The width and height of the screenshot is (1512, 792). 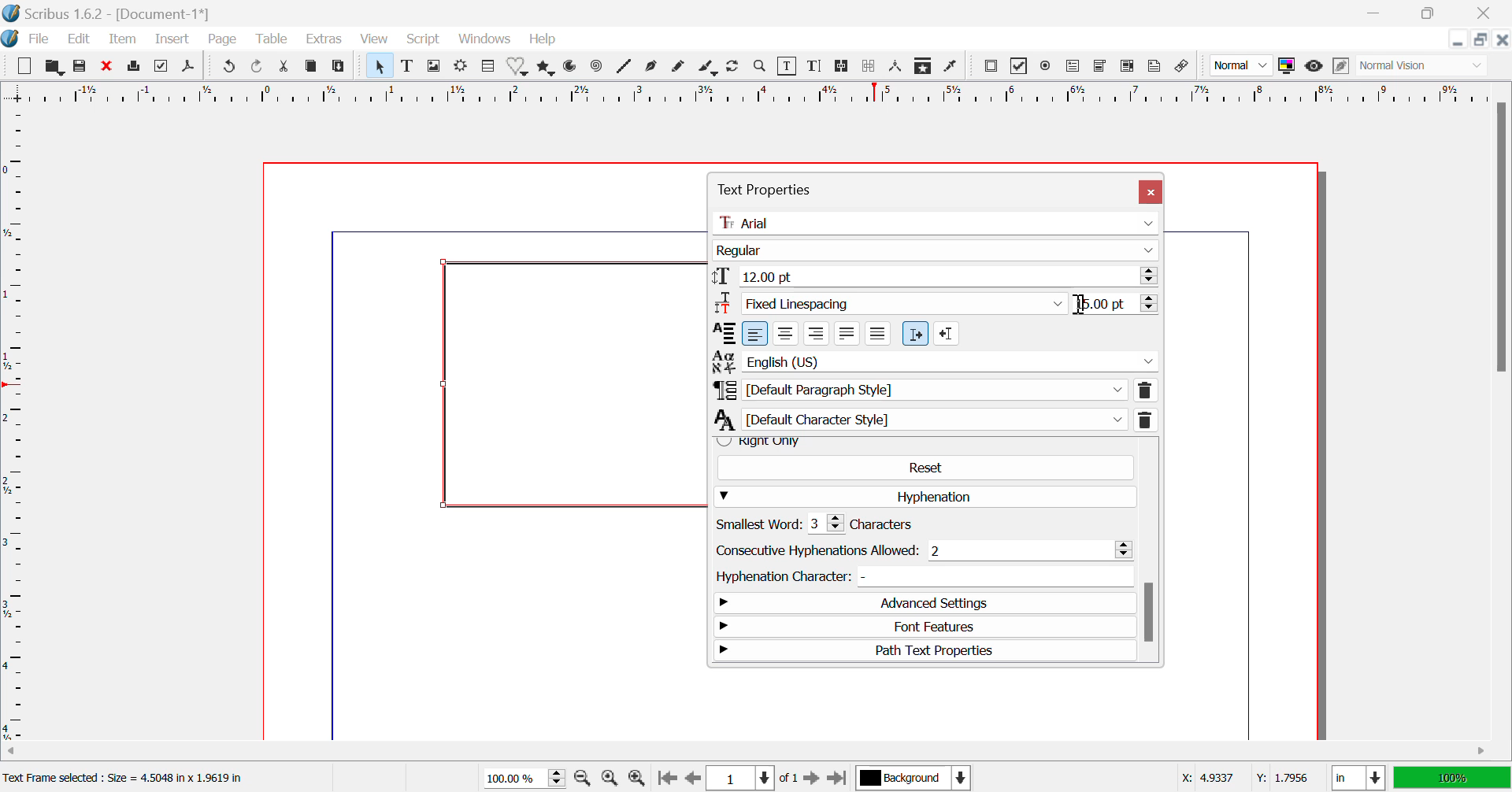 What do you see at coordinates (488, 67) in the screenshot?
I see `Table` at bounding box center [488, 67].